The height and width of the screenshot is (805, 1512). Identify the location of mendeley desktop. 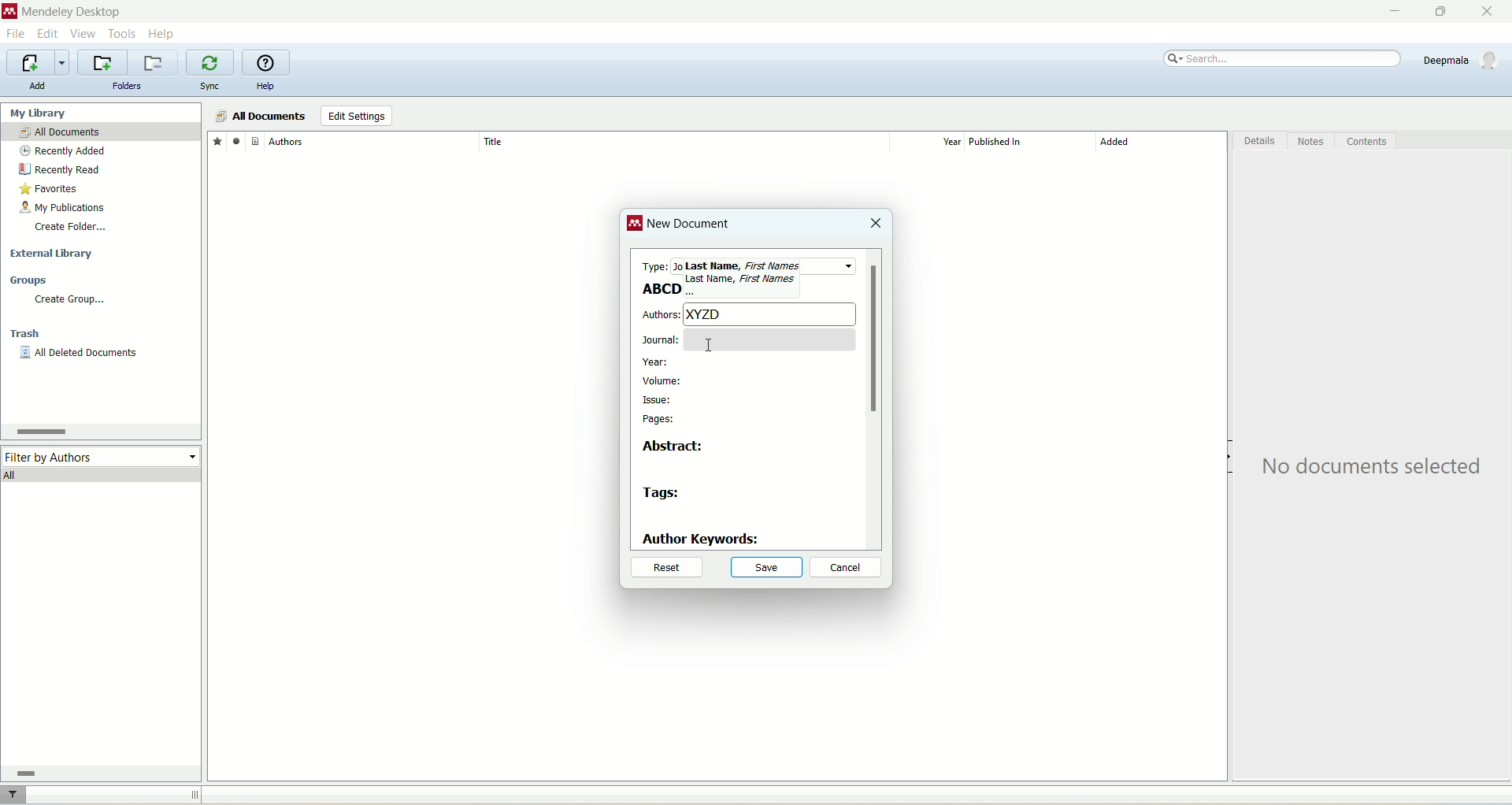
(69, 13).